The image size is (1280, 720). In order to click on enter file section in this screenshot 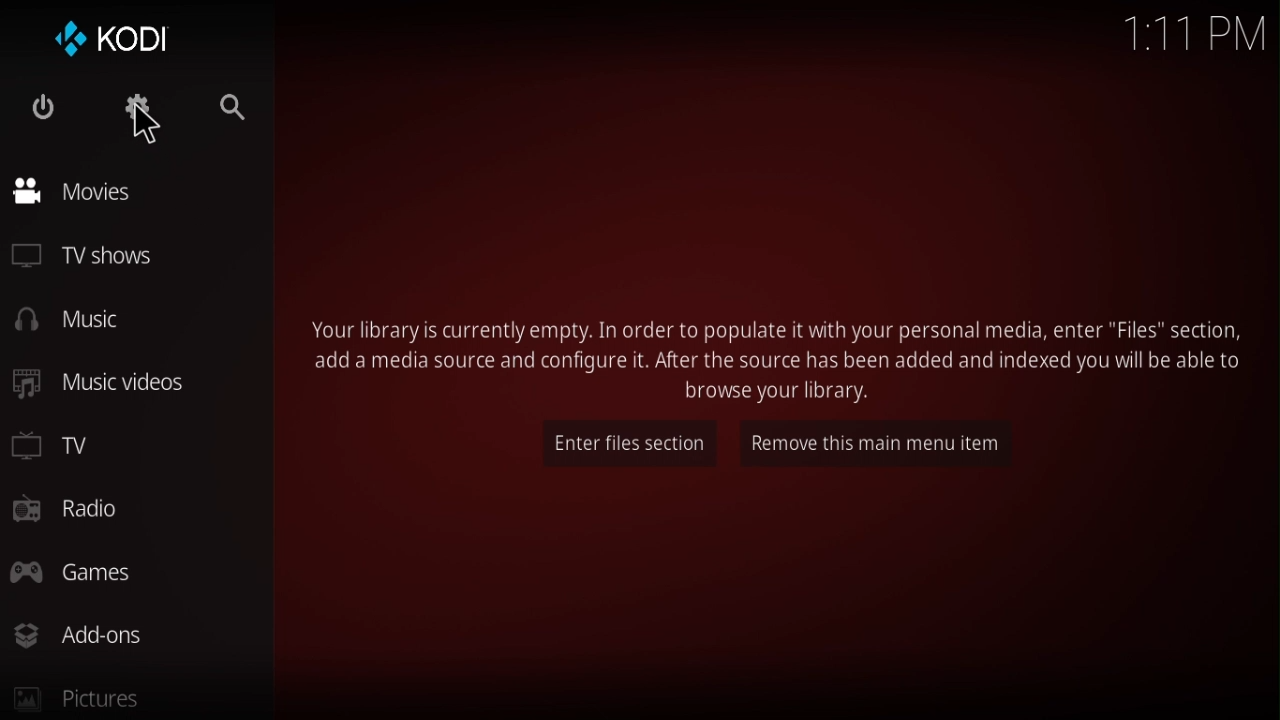, I will do `click(622, 441)`.